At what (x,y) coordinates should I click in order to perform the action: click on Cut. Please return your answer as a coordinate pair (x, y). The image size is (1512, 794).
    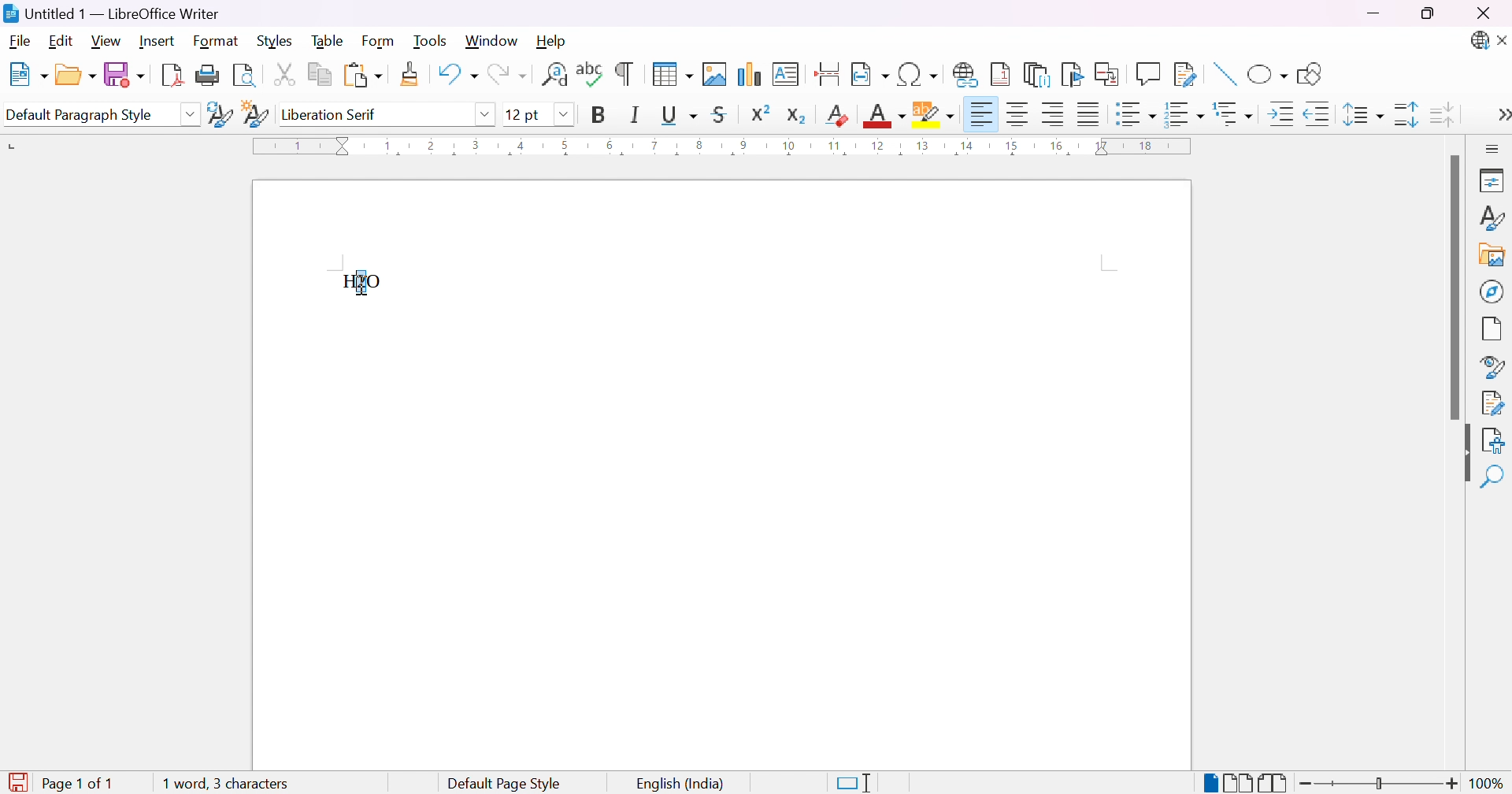
    Looking at the image, I should click on (283, 73).